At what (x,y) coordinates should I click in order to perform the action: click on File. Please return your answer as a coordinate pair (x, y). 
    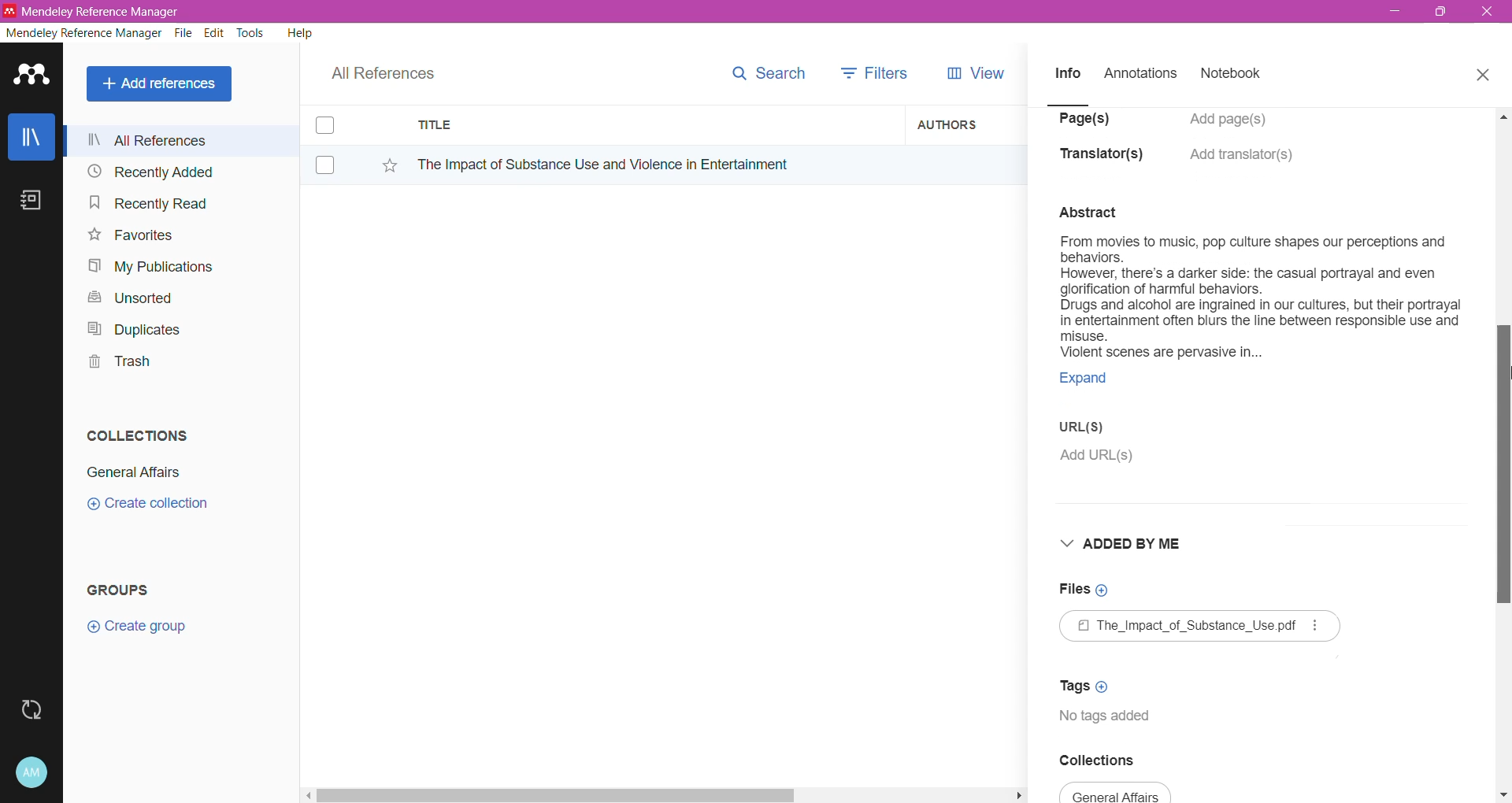
    Looking at the image, I should click on (183, 34).